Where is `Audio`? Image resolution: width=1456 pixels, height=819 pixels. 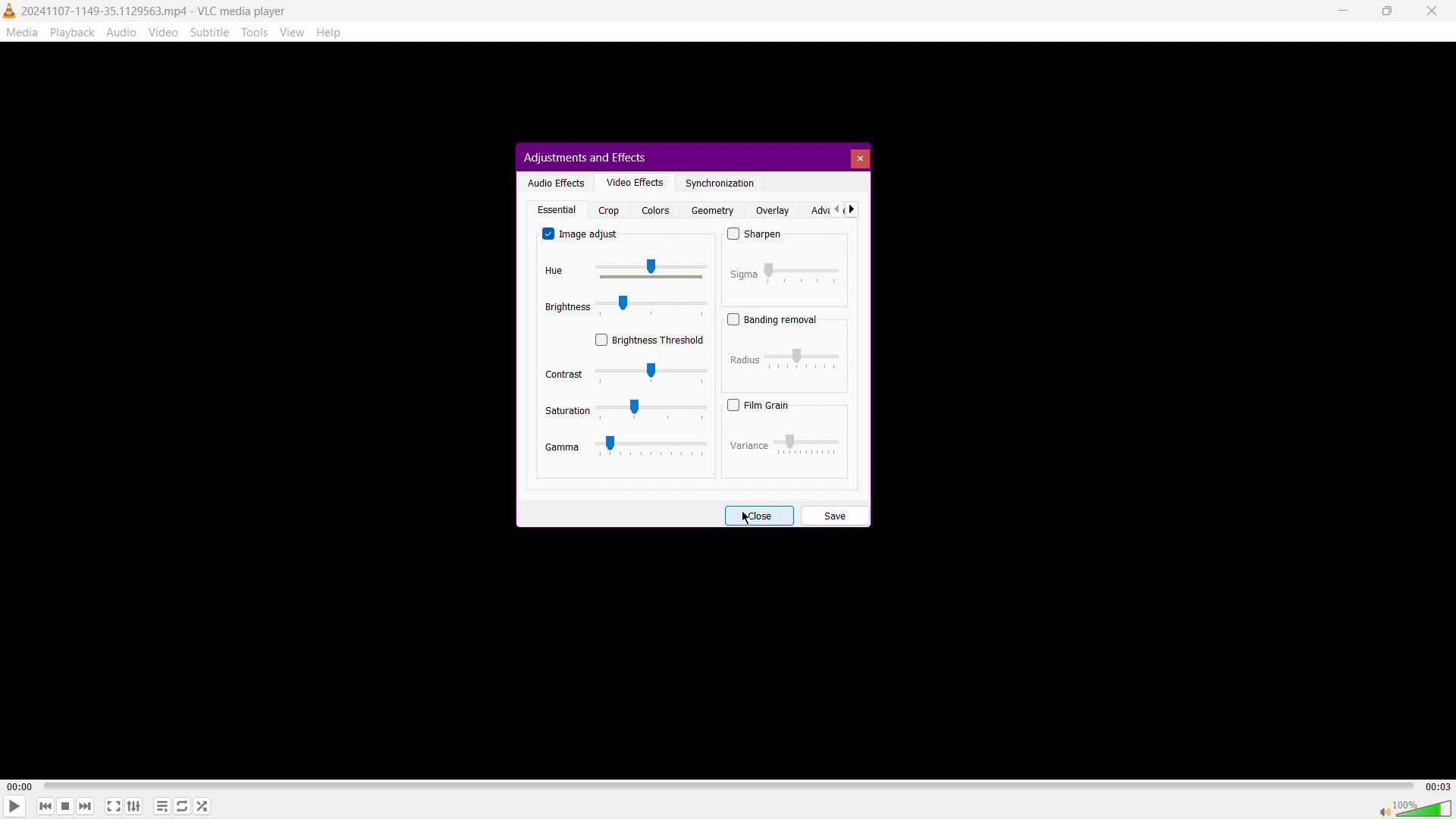 Audio is located at coordinates (121, 32).